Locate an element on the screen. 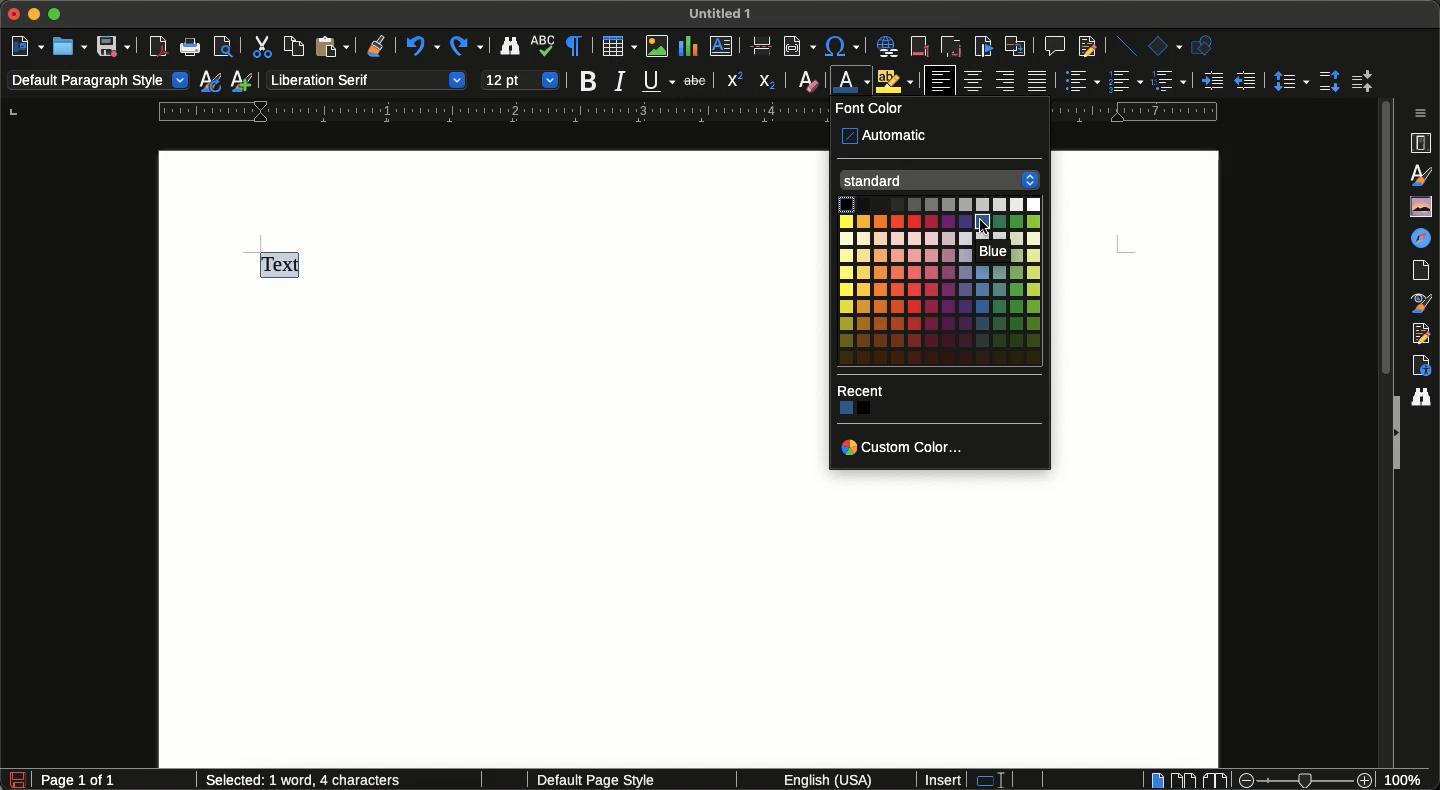  Zoom out is located at coordinates (1242, 780).